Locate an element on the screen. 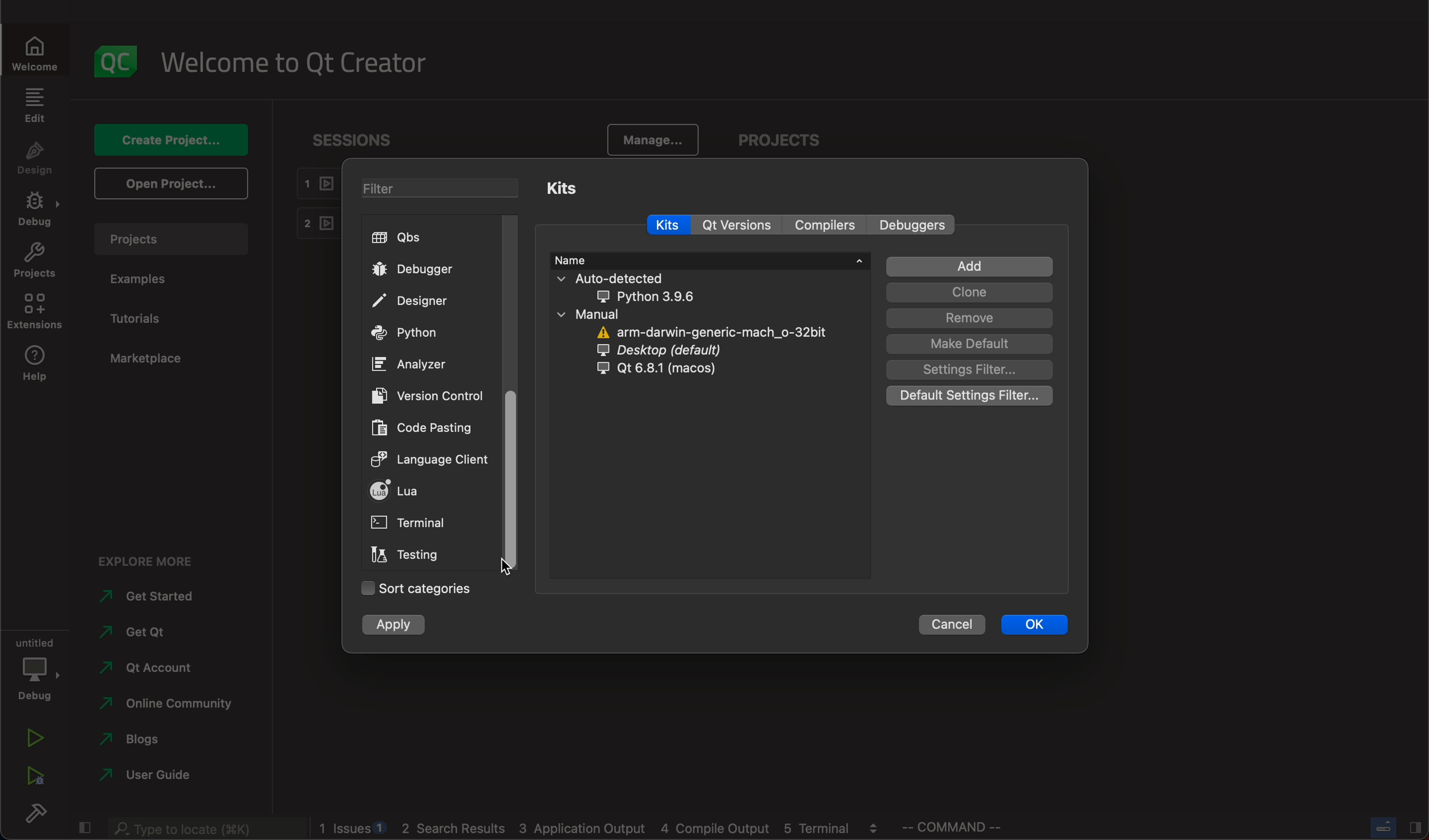 The width and height of the screenshot is (1429, 840). arm darmin is located at coordinates (708, 332).